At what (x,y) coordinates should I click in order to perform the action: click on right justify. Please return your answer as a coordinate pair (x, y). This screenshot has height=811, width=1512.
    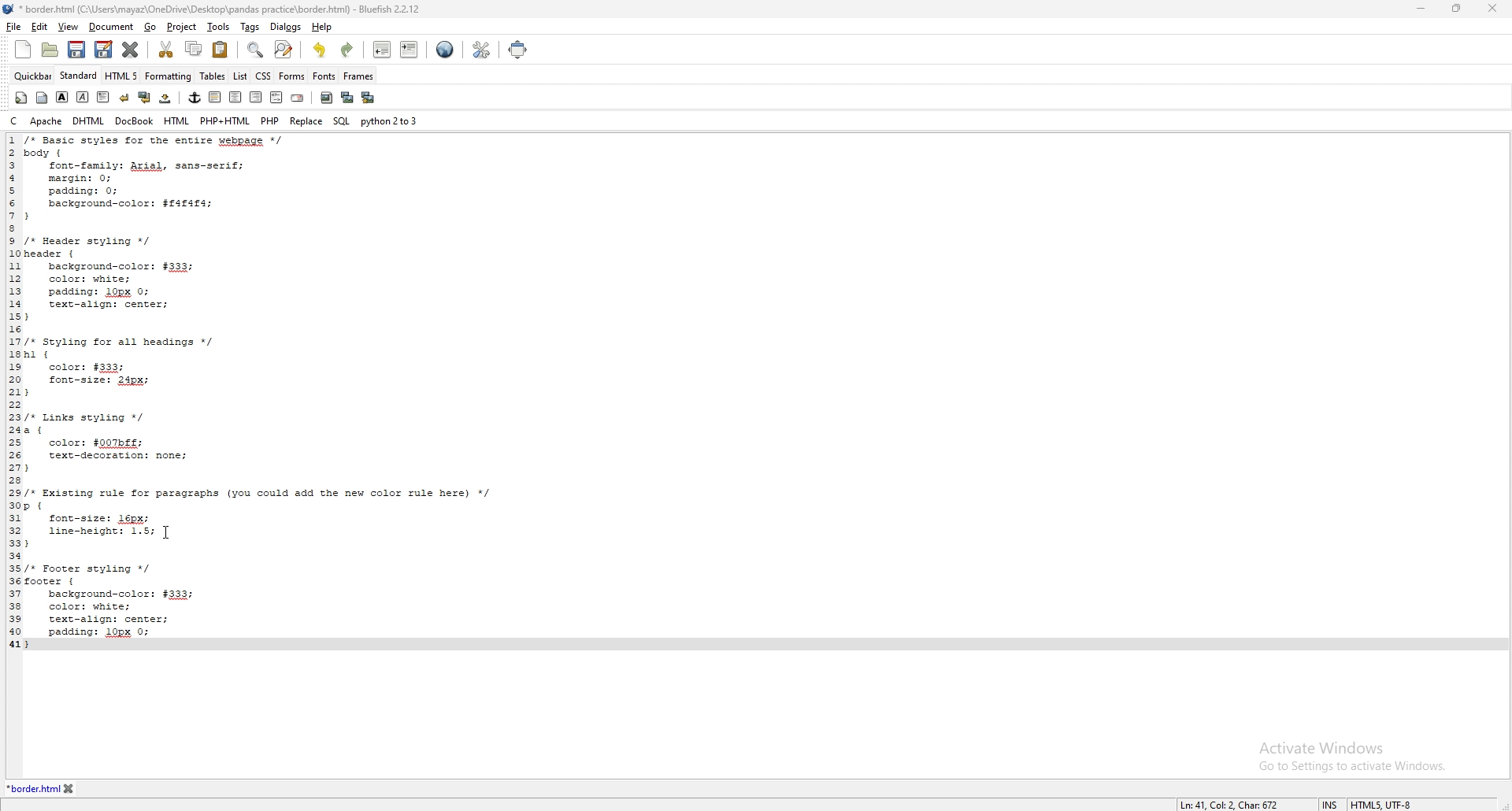
    Looking at the image, I should click on (258, 97).